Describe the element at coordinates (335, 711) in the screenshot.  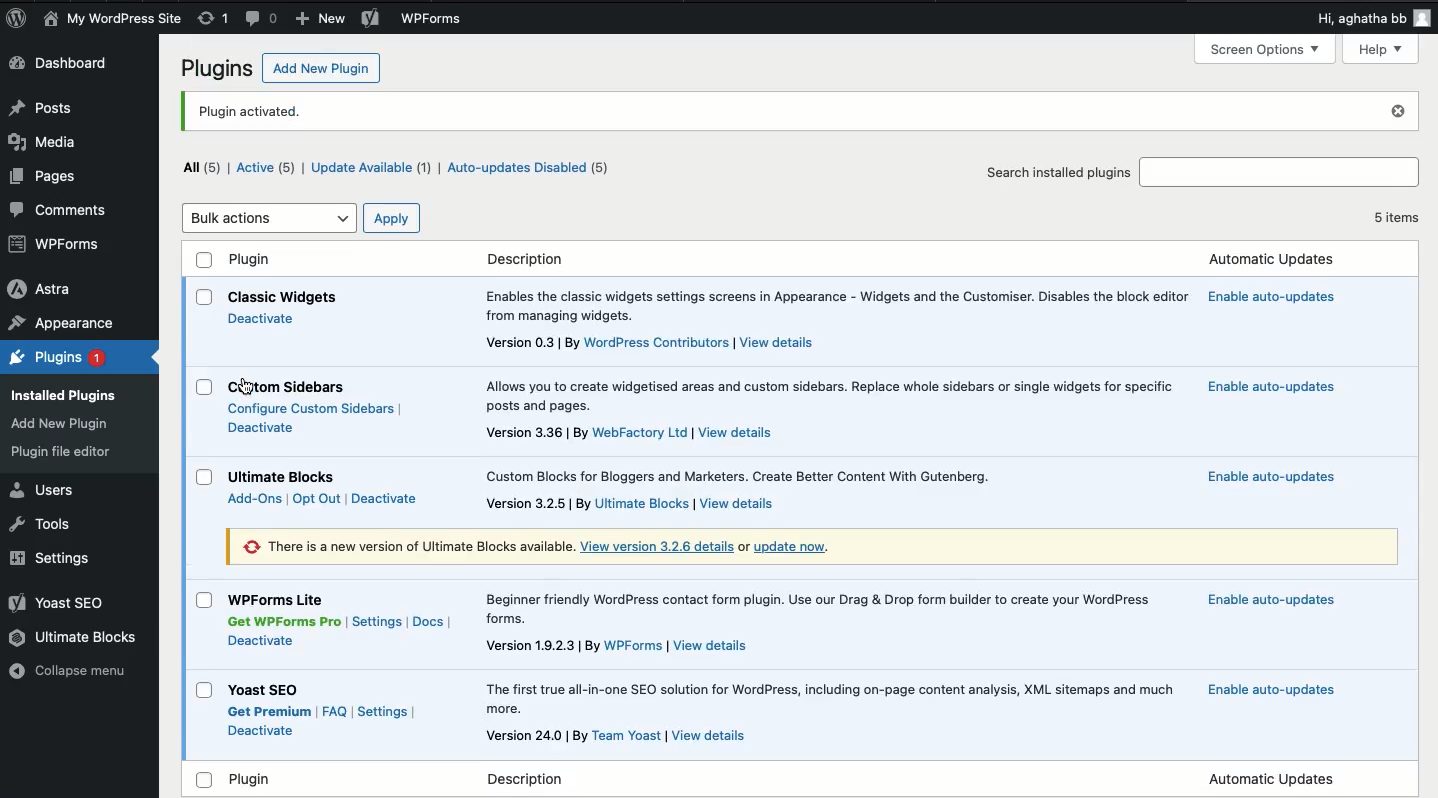
I see `FAQ` at that location.